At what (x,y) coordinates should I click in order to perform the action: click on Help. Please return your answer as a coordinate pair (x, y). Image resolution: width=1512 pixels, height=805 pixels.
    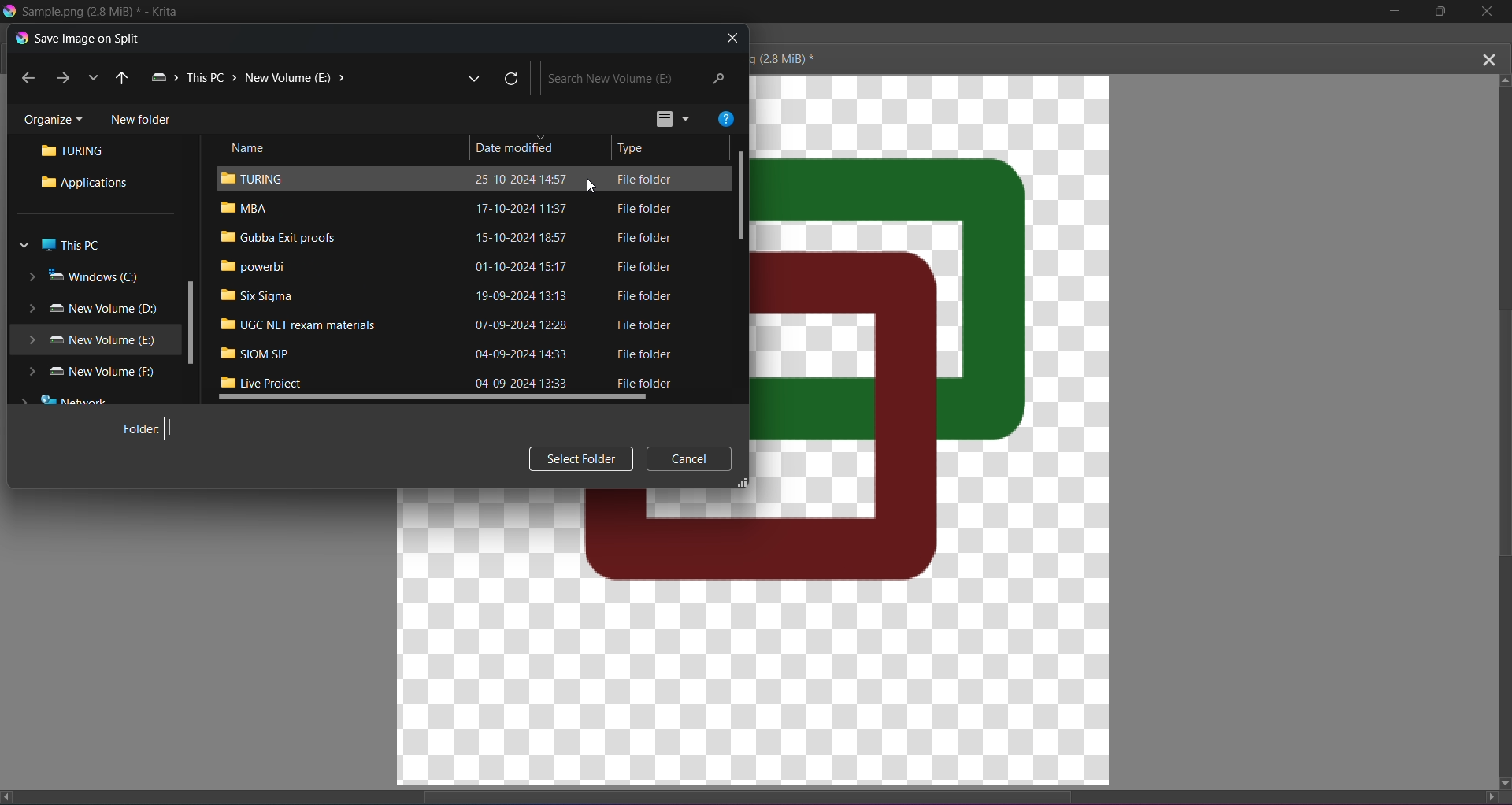
    Looking at the image, I should click on (728, 116).